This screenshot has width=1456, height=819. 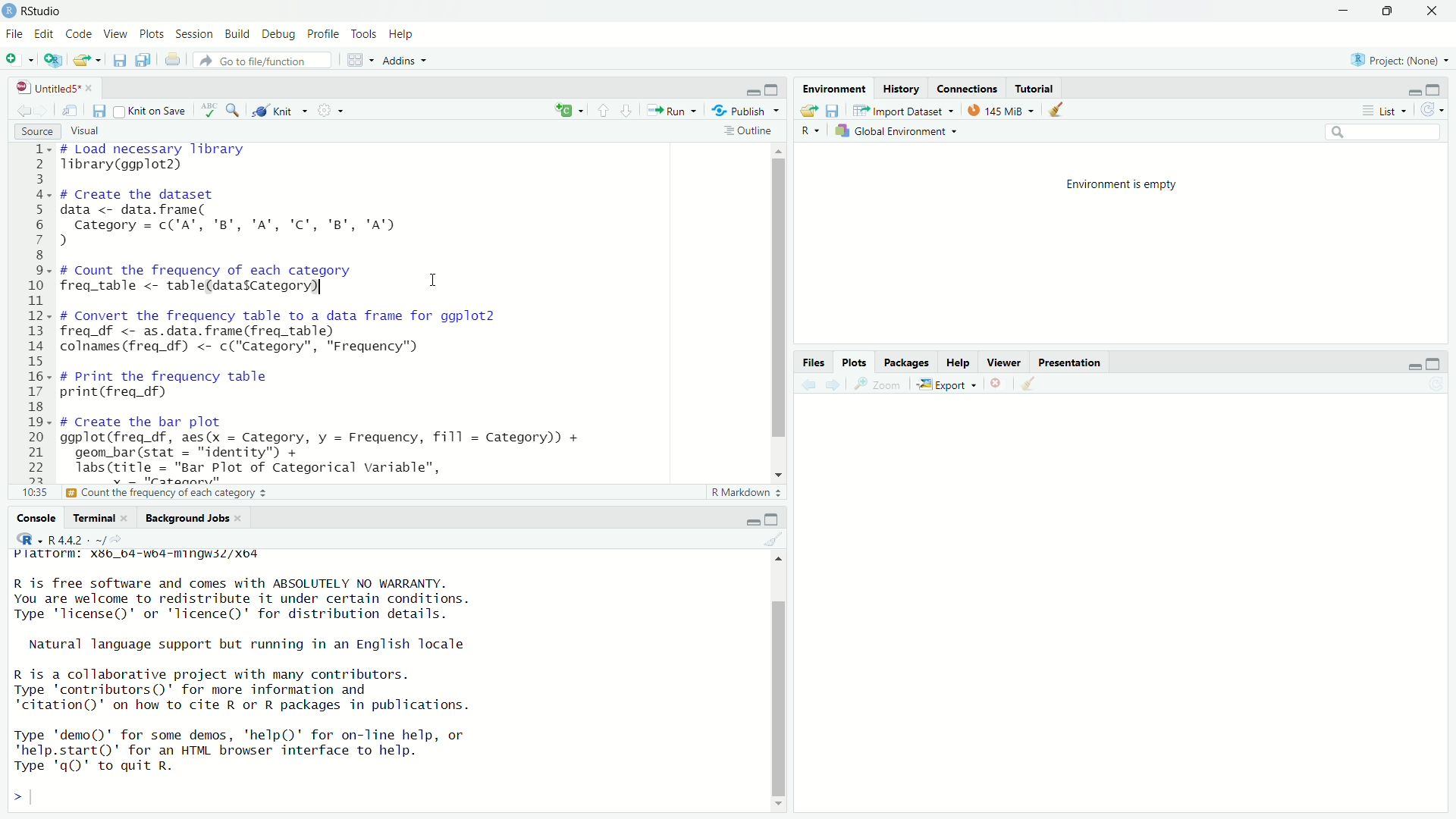 I want to click on knit on save, so click(x=152, y=111).